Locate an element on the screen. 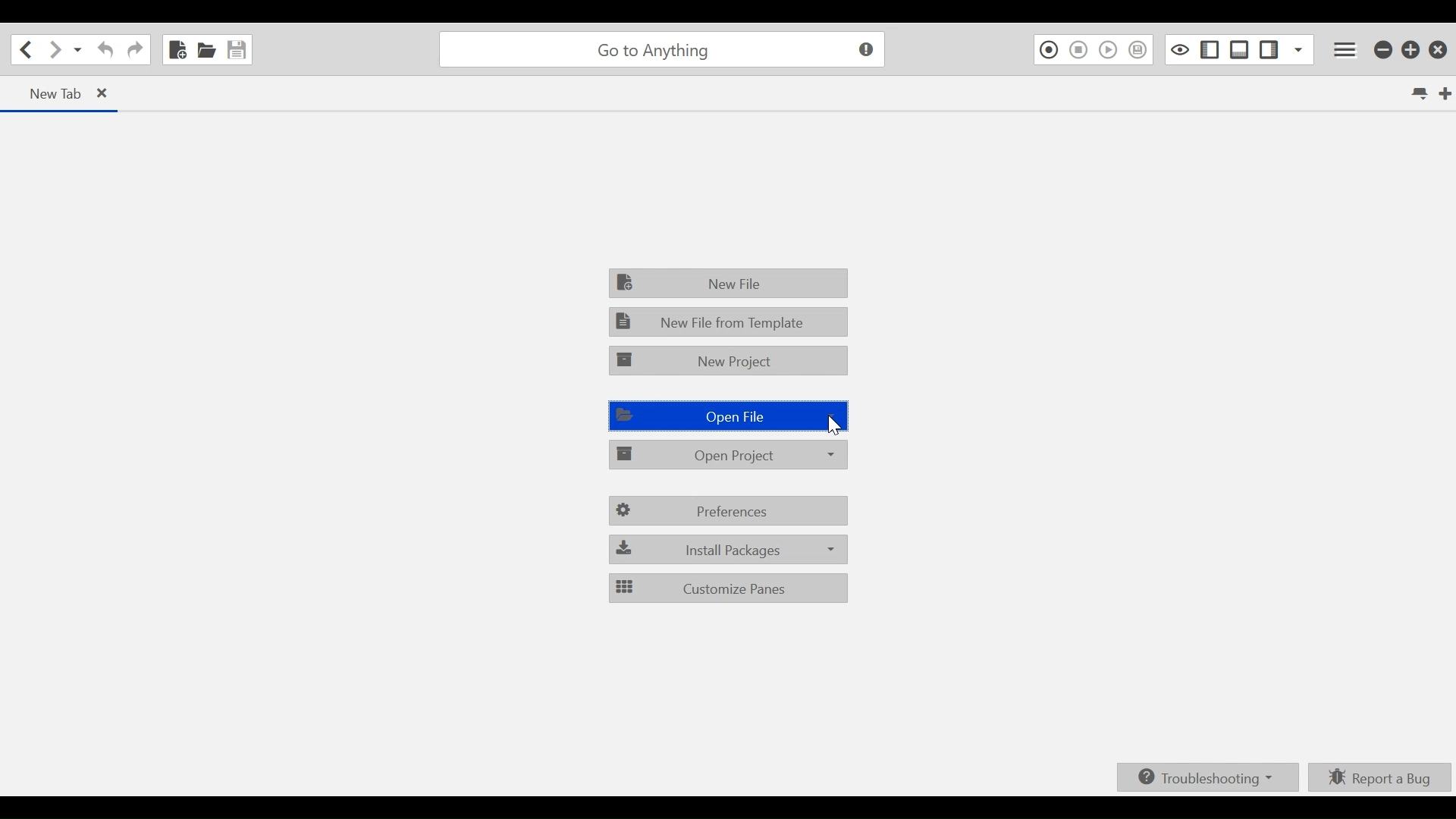 This screenshot has width=1456, height=819. Add new Tab is located at coordinates (1447, 93).